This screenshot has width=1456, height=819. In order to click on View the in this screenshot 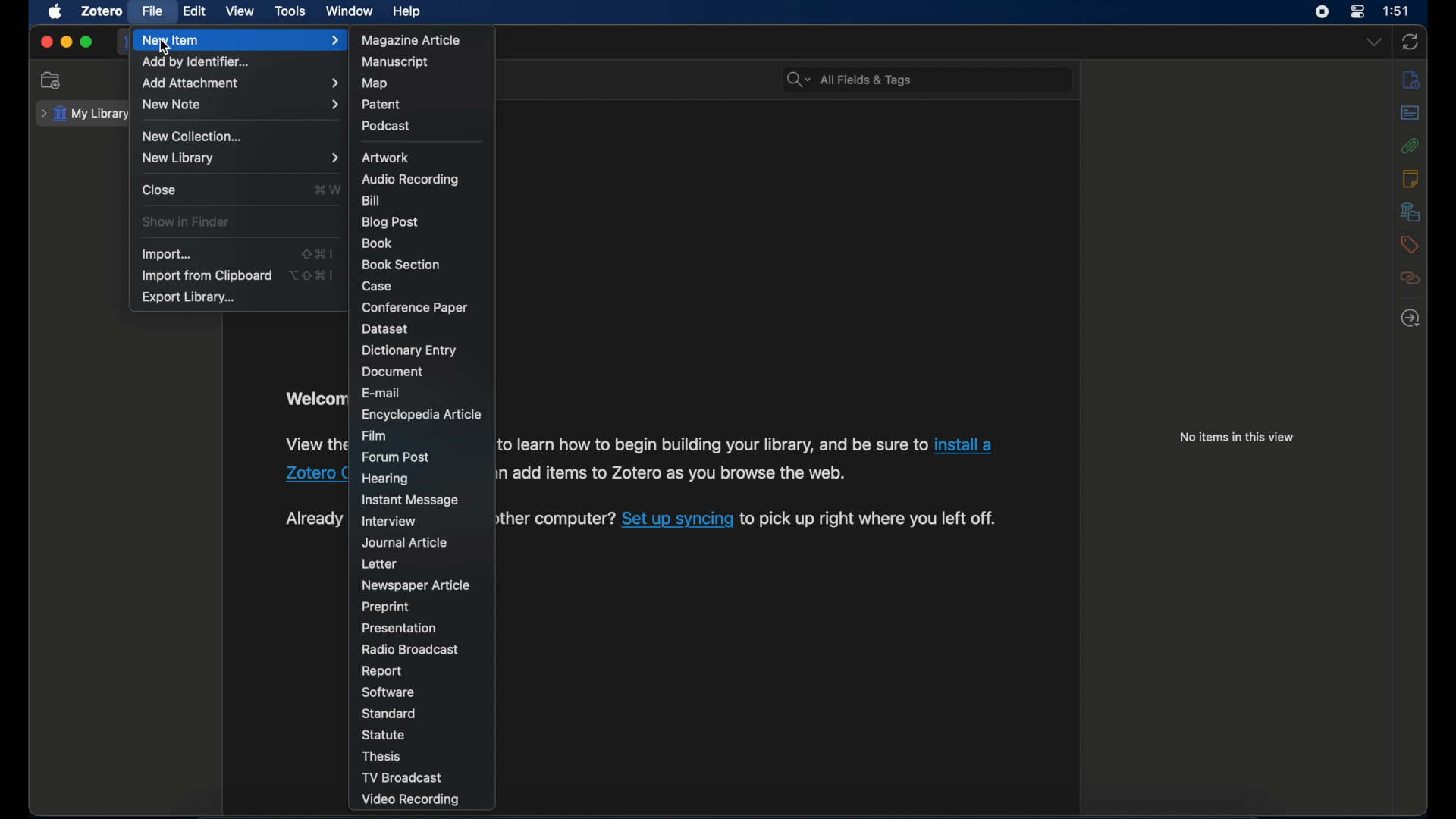, I will do `click(312, 444)`.